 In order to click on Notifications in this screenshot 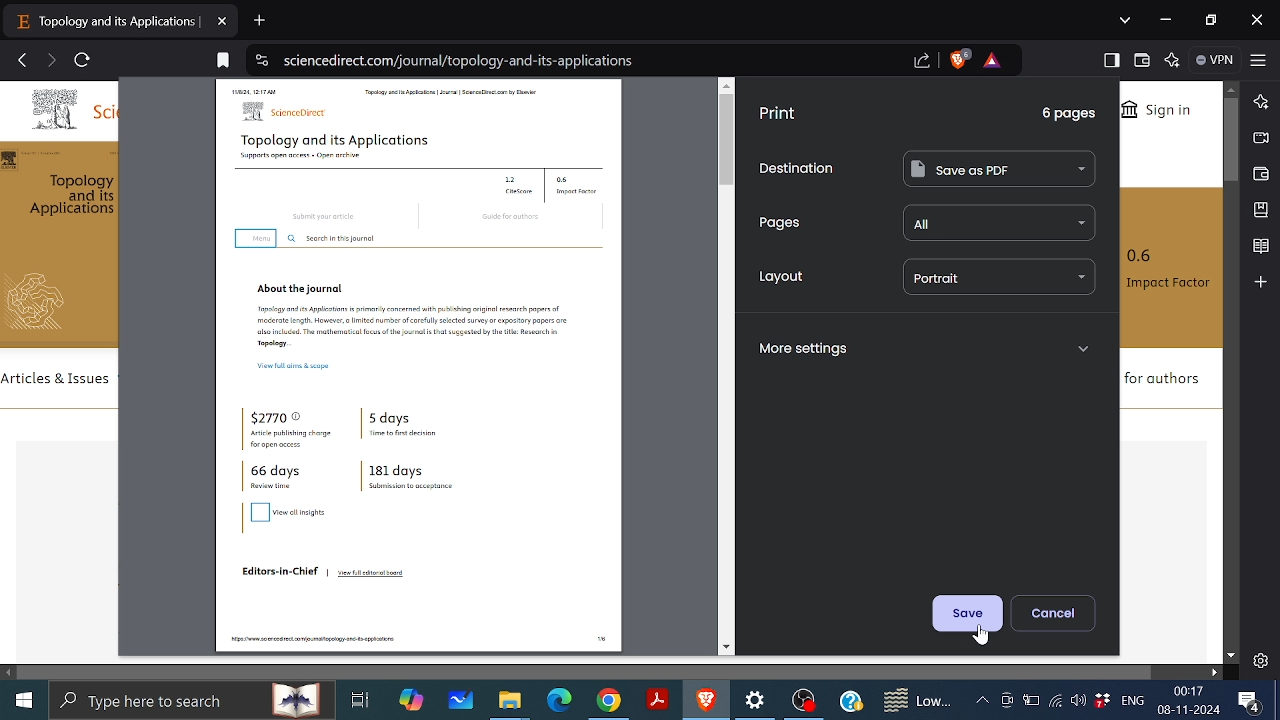, I will do `click(1250, 701)`.